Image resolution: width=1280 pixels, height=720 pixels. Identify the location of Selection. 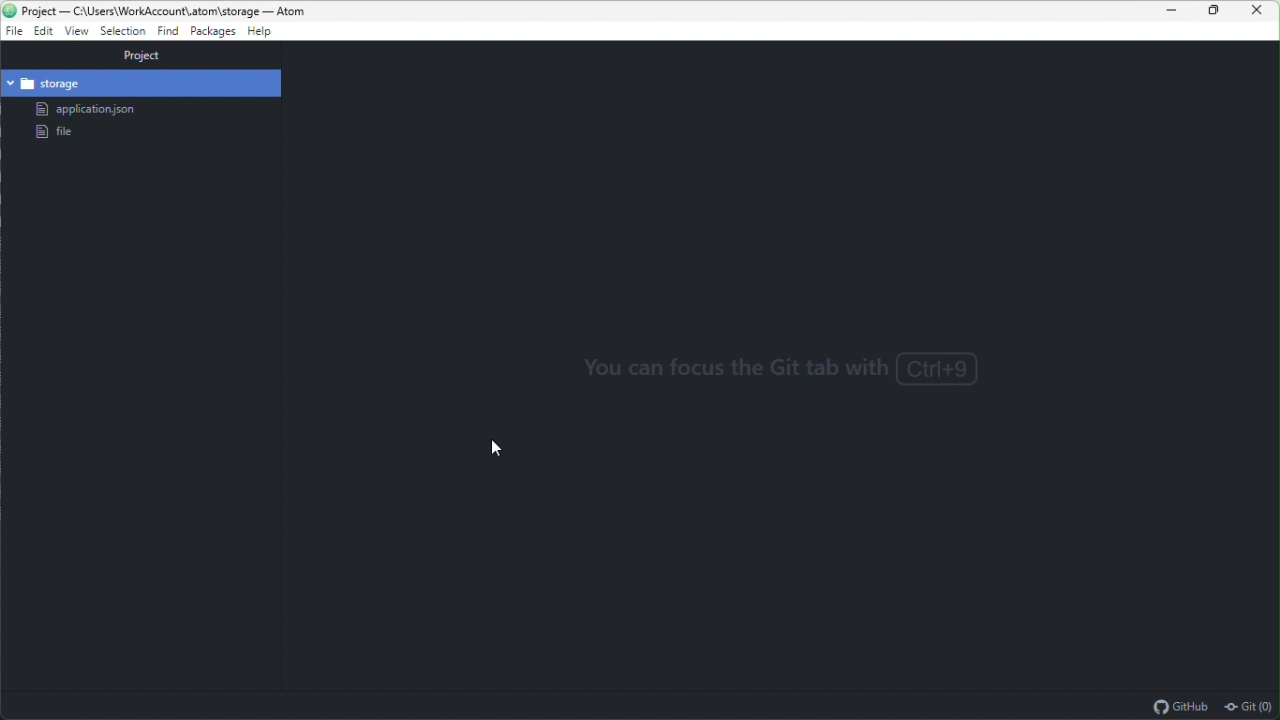
(125, 30).